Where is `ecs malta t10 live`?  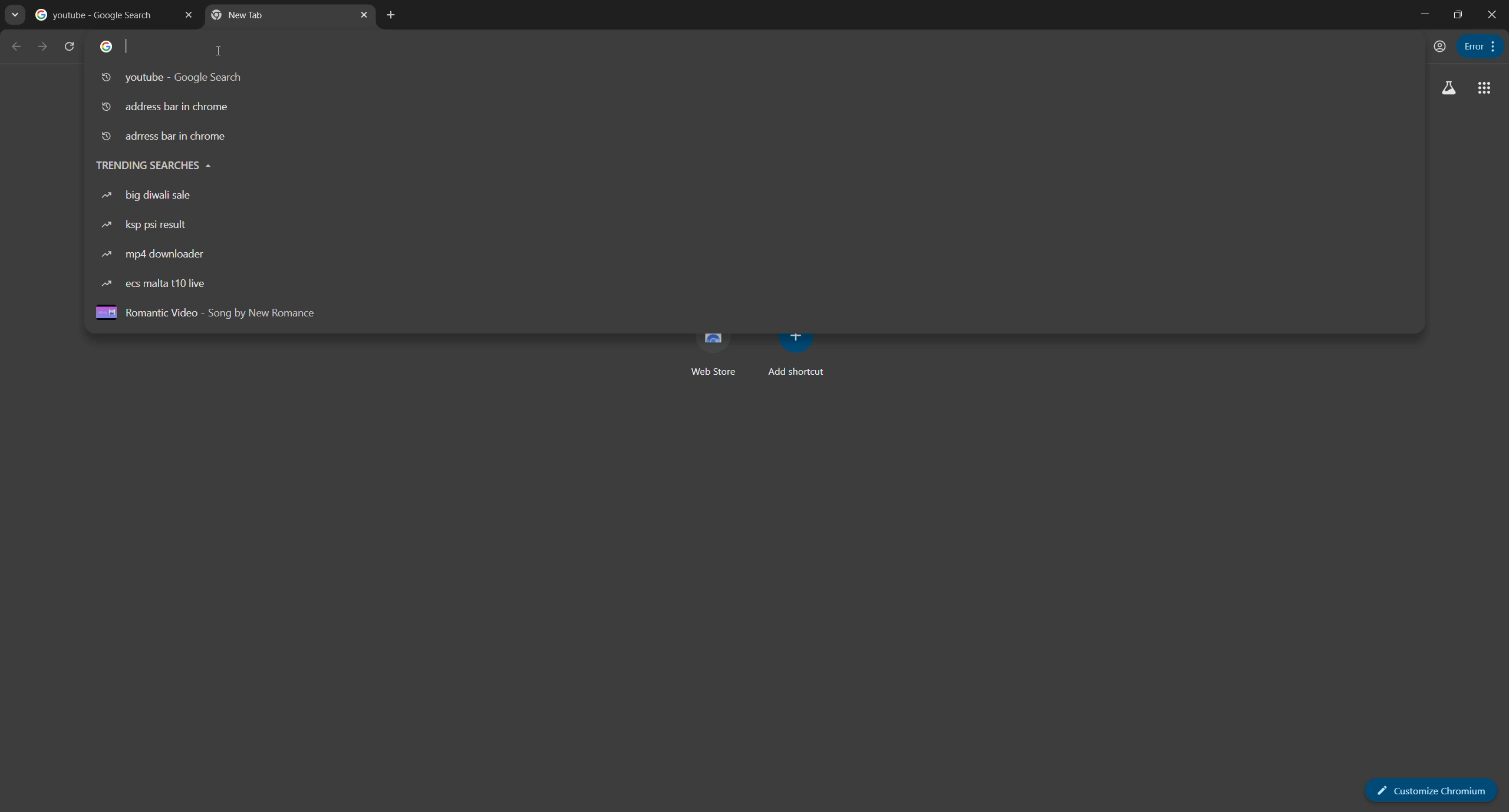
ecs malta t10 live is located at coordinates (157, 282).